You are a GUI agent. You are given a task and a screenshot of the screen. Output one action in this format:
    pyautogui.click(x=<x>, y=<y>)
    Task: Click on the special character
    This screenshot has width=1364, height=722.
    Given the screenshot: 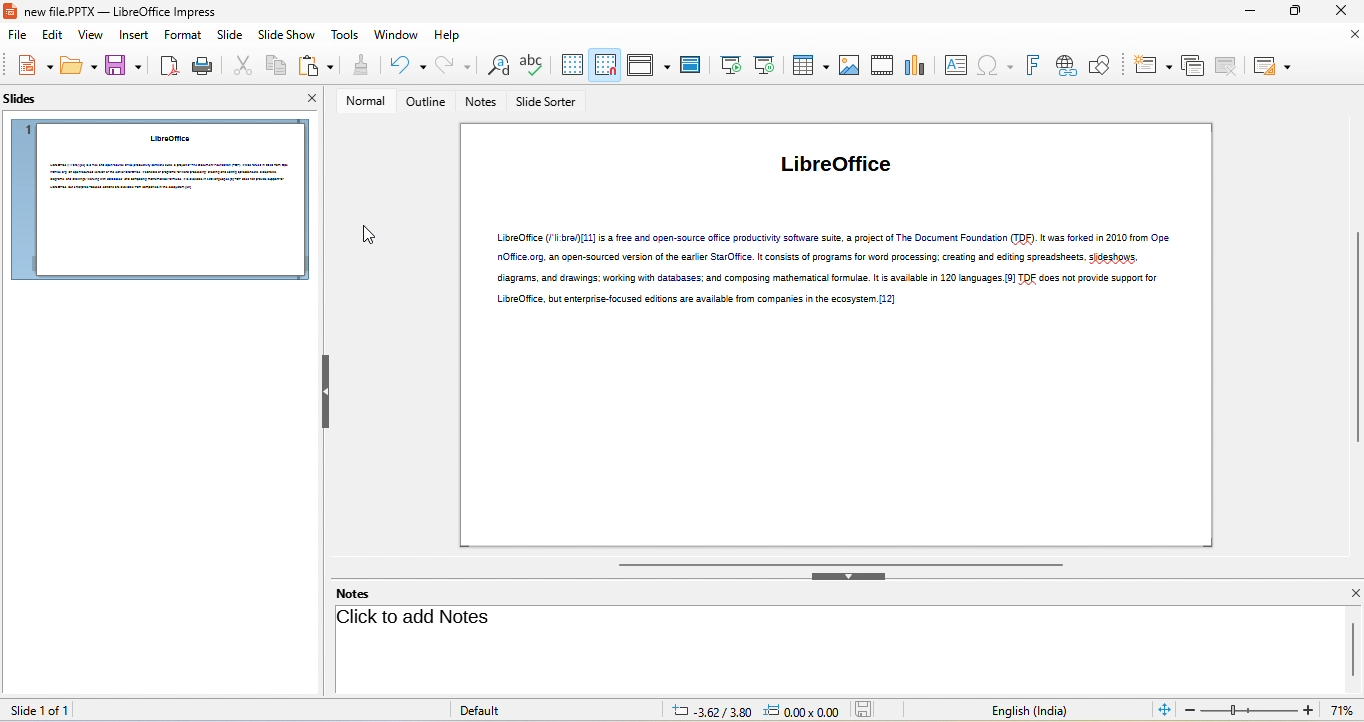 What is the action you would take?
    pyautogui.click(x=994, y=67)
    